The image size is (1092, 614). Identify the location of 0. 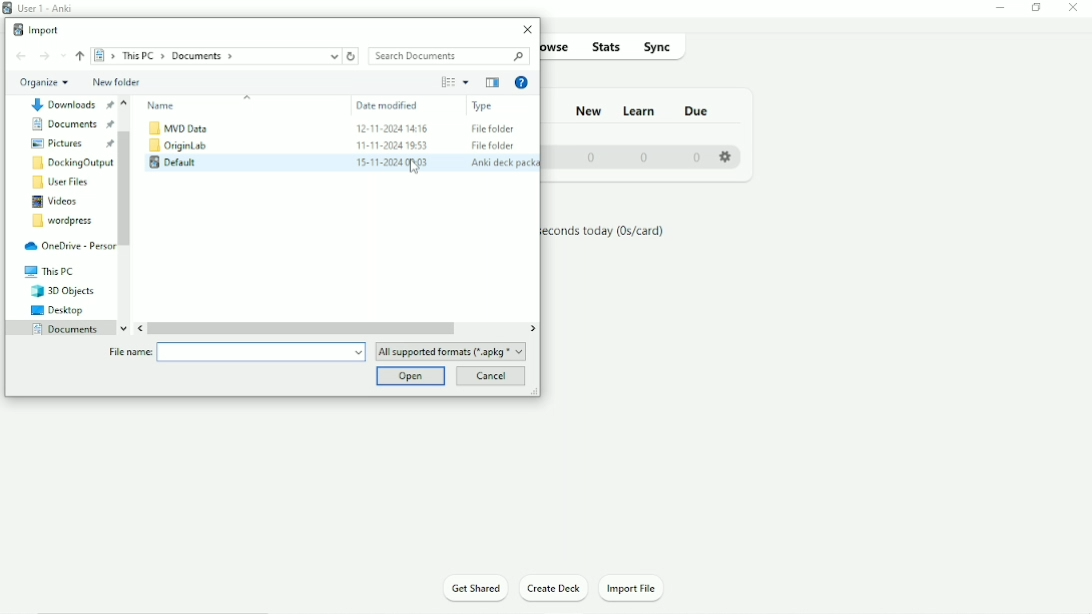
(645, 157).